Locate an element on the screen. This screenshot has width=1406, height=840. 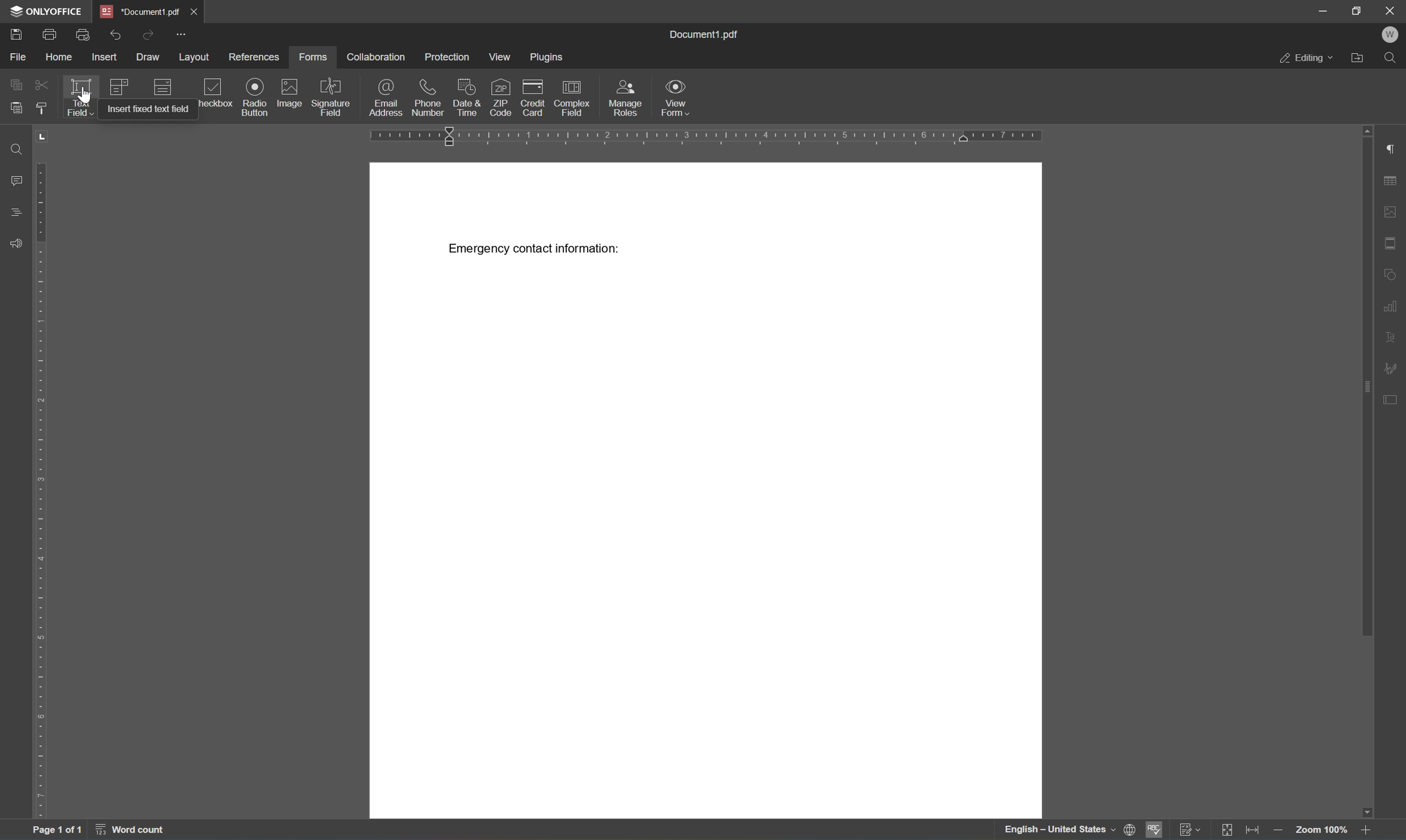
find is located at coordinates (1392, 57).